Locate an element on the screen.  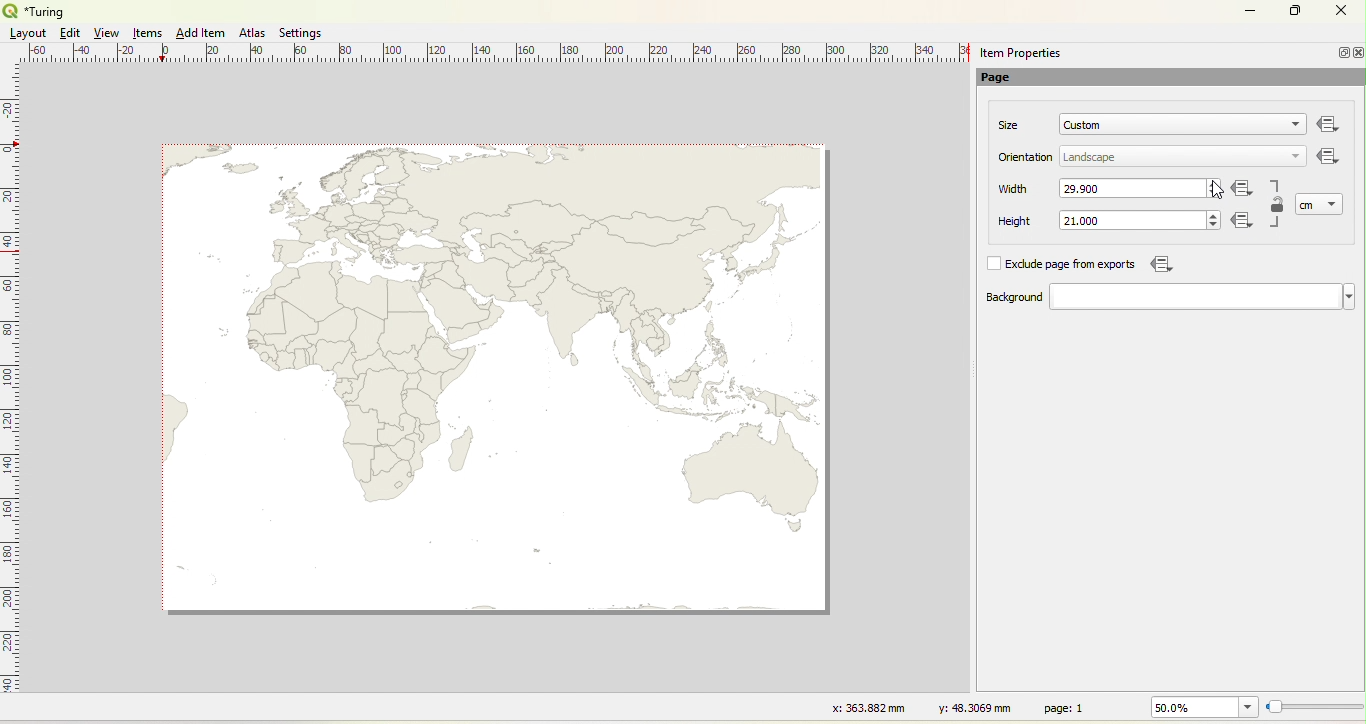
increase is located at coordinates (1215, 182).